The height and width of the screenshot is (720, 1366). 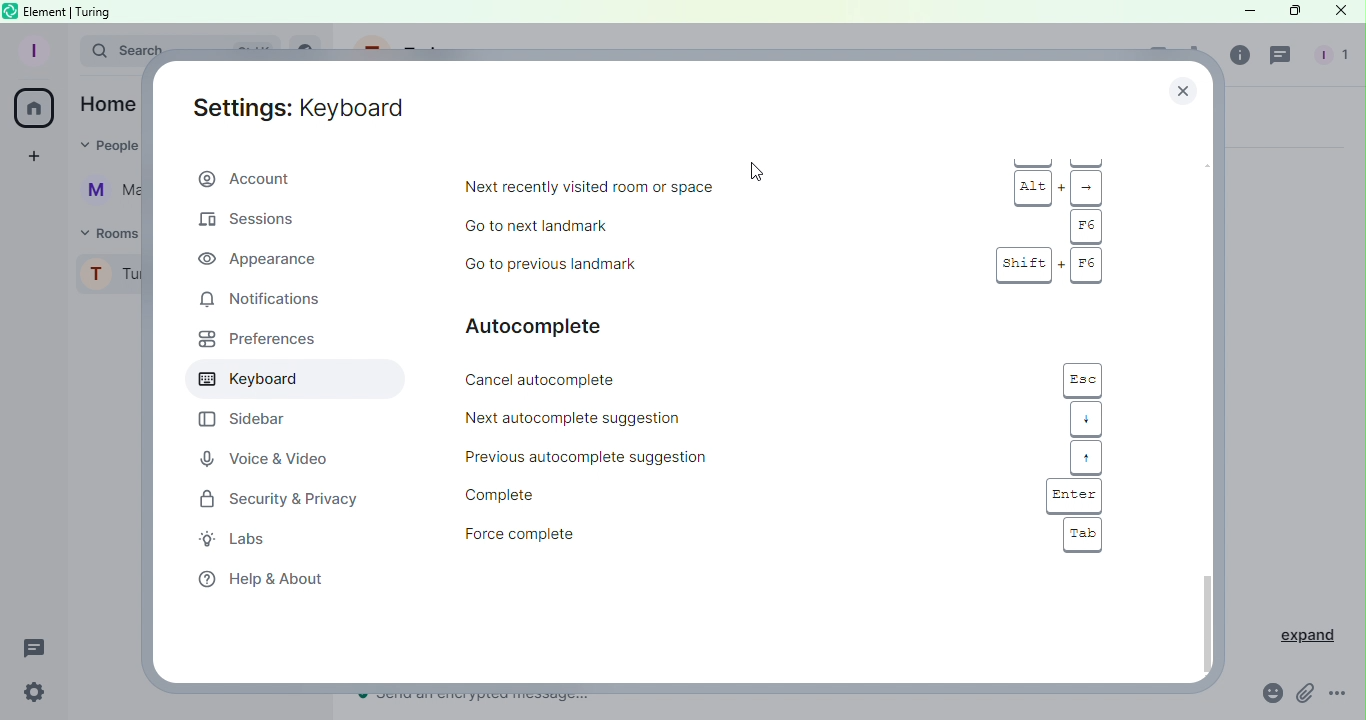 I want to click on Quick Settings, so click(x=34, y=694).